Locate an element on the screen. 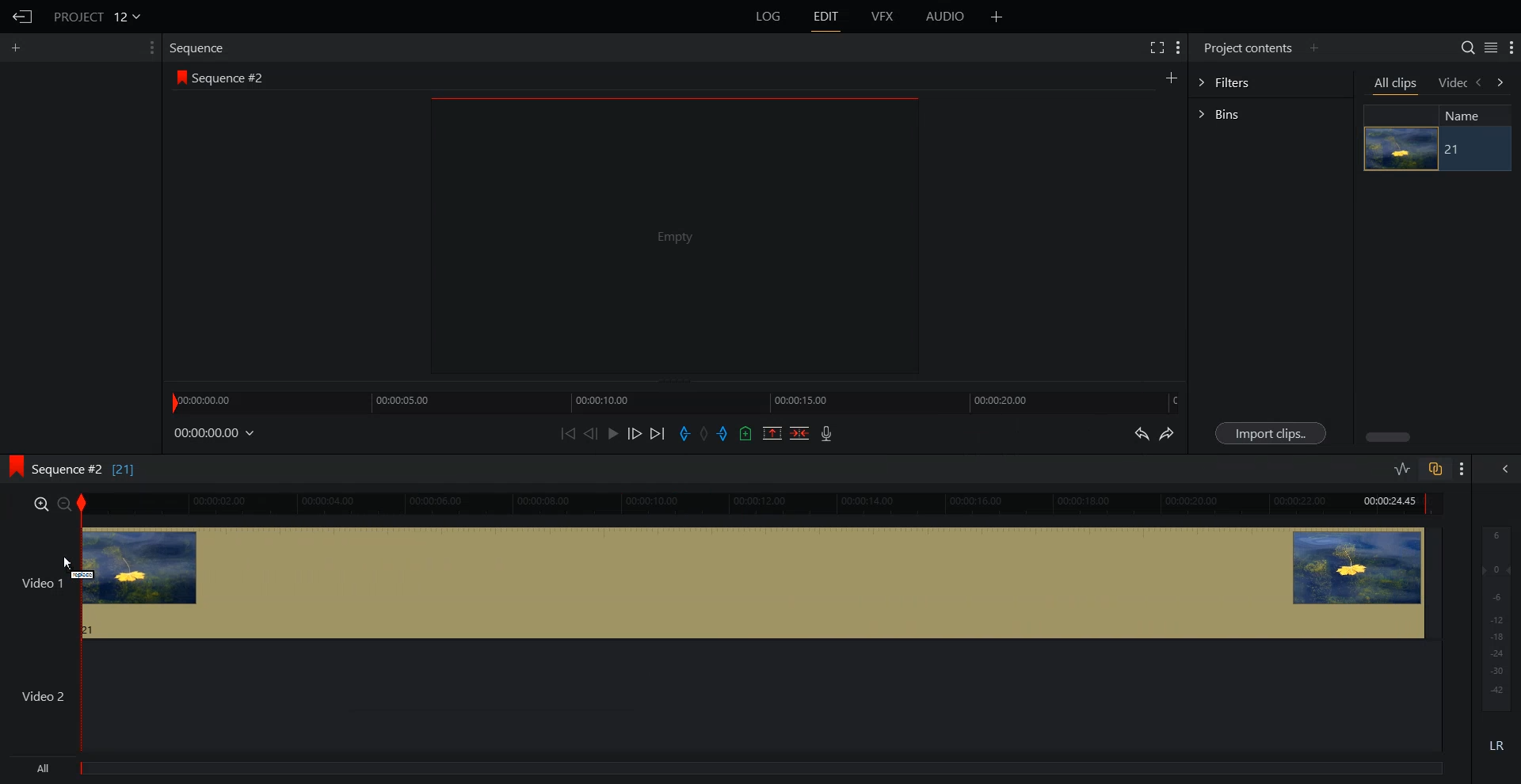 Image resolution: width=1521 pixels, height=784 pixels. Nudge One Frame Forward is located at coordinates (635, 434).